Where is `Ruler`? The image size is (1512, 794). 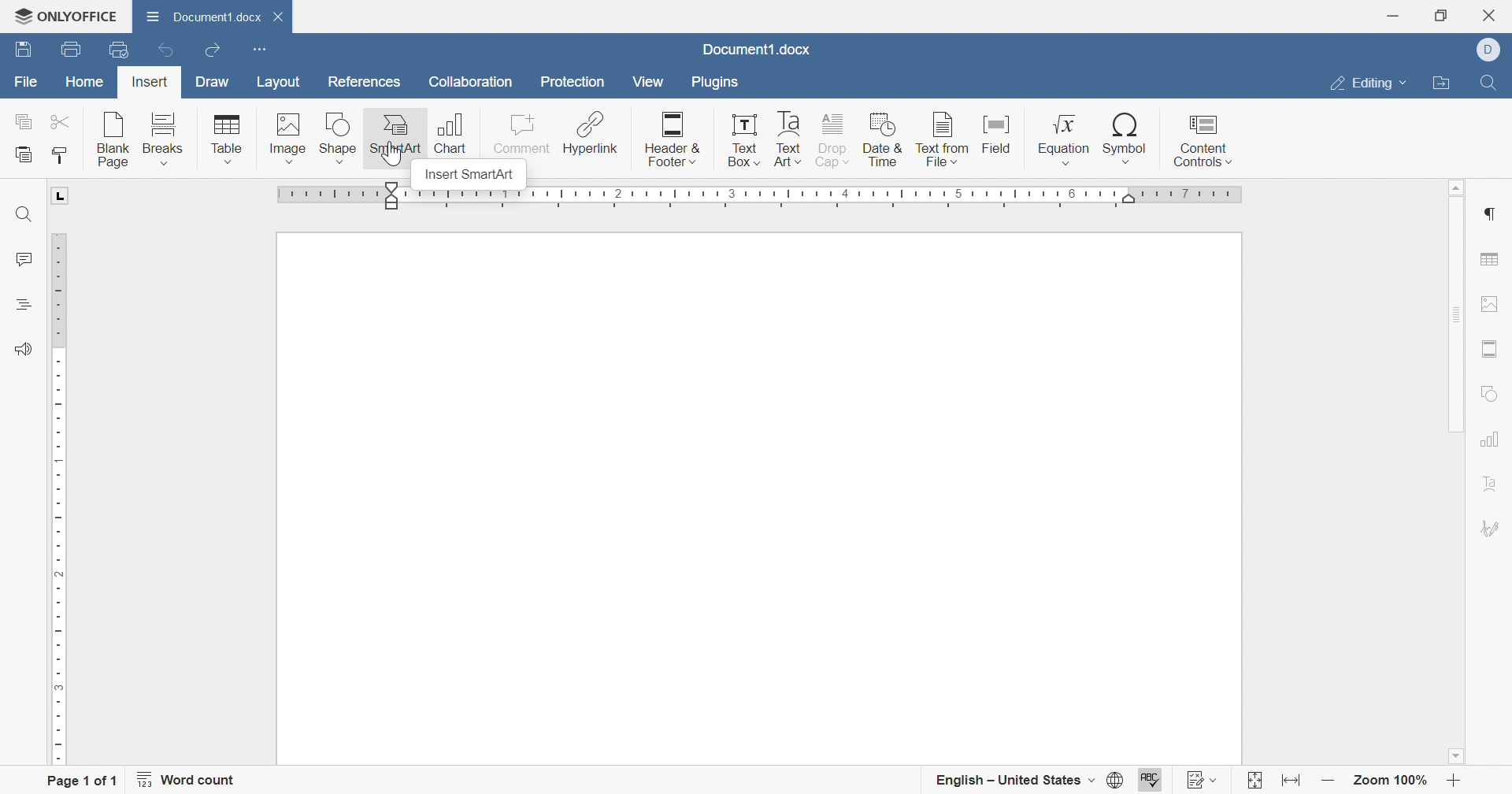
Ruler is located at coordinates (762, 198).